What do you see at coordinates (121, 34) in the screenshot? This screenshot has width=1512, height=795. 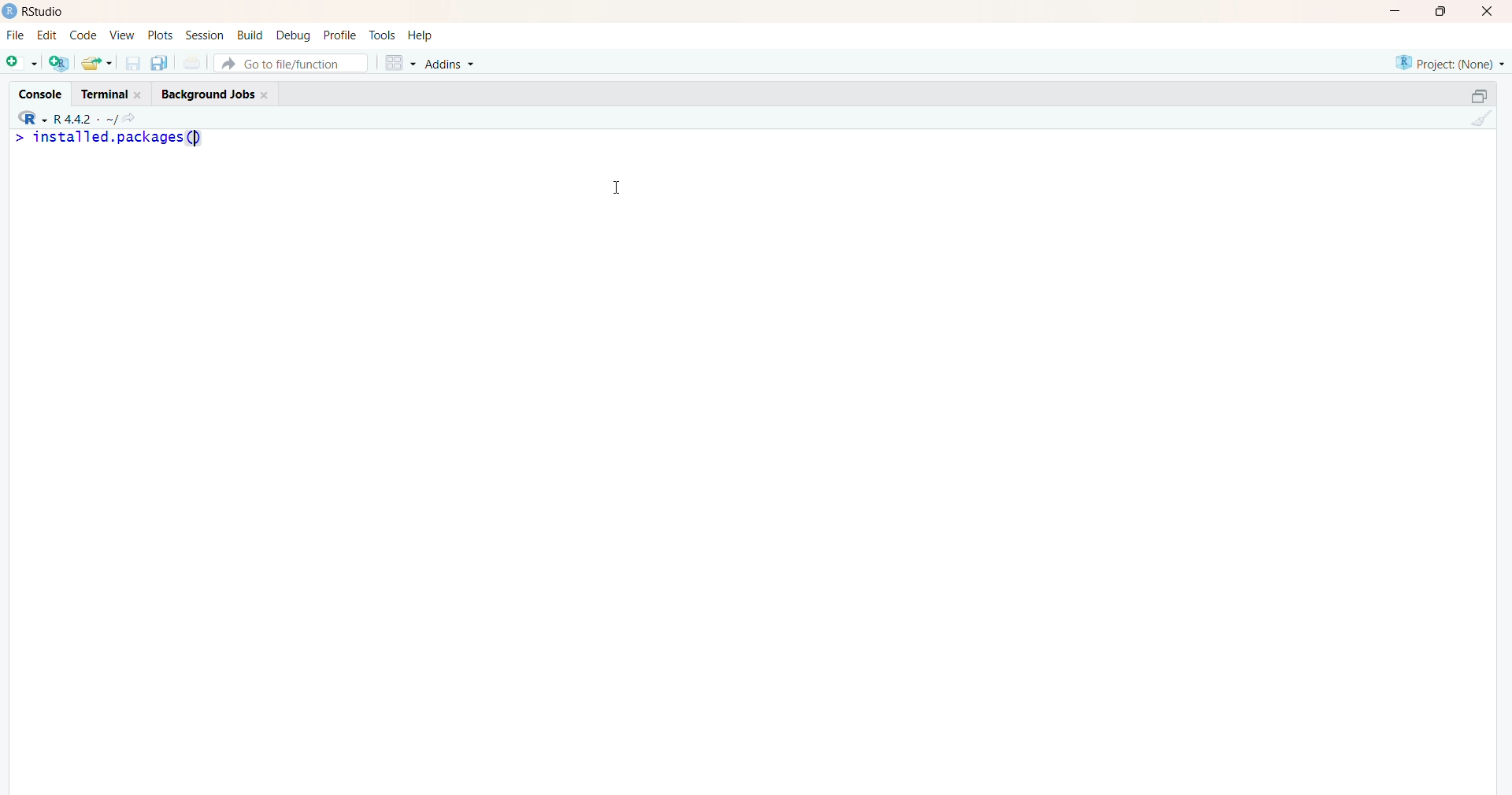 I see `view` at bounding box center [121, 34].